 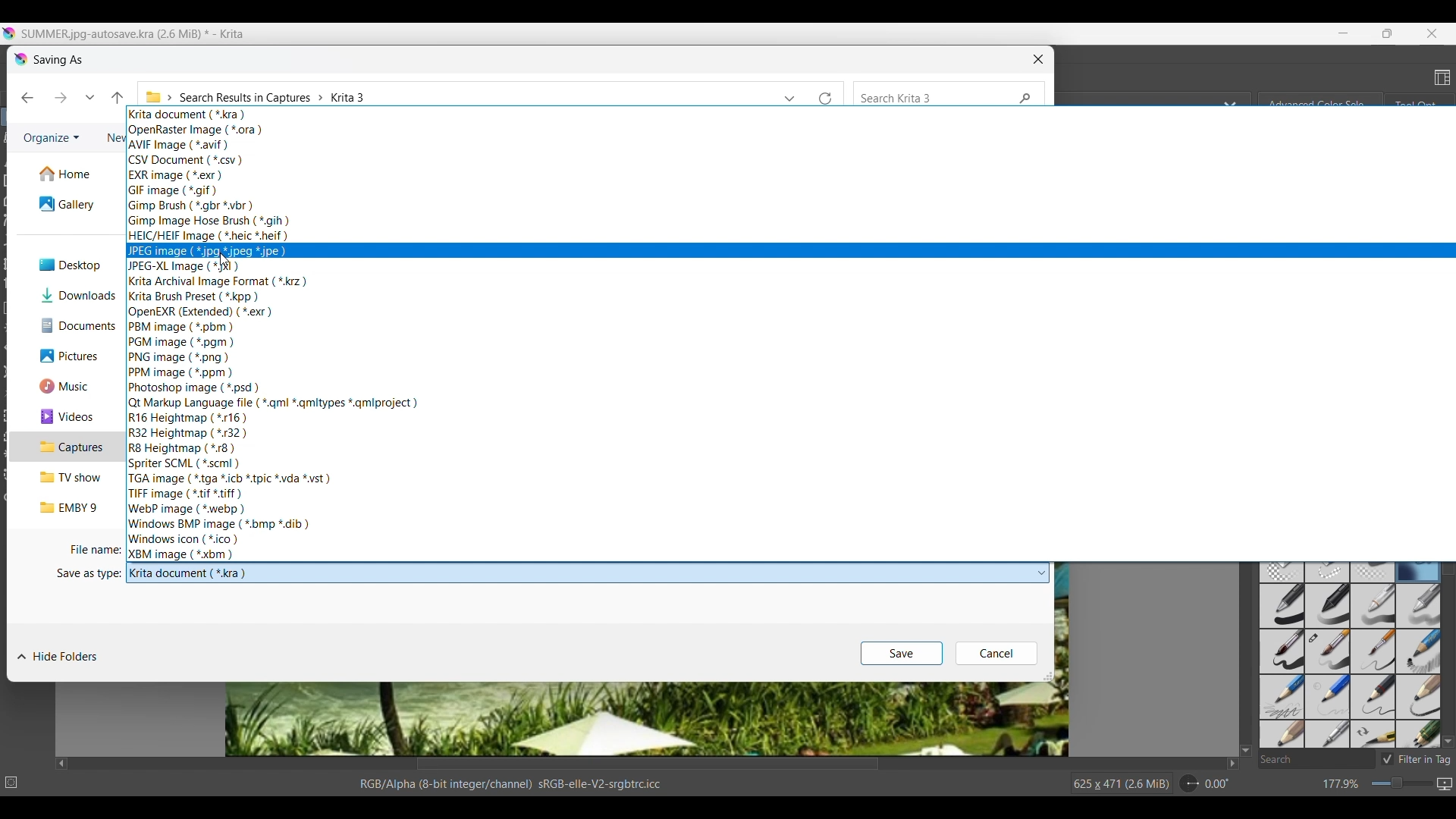 What do you see at coordinates (66, 266) in the screenshot?
I see `Desktop folder` at bounding box center [66, 266].